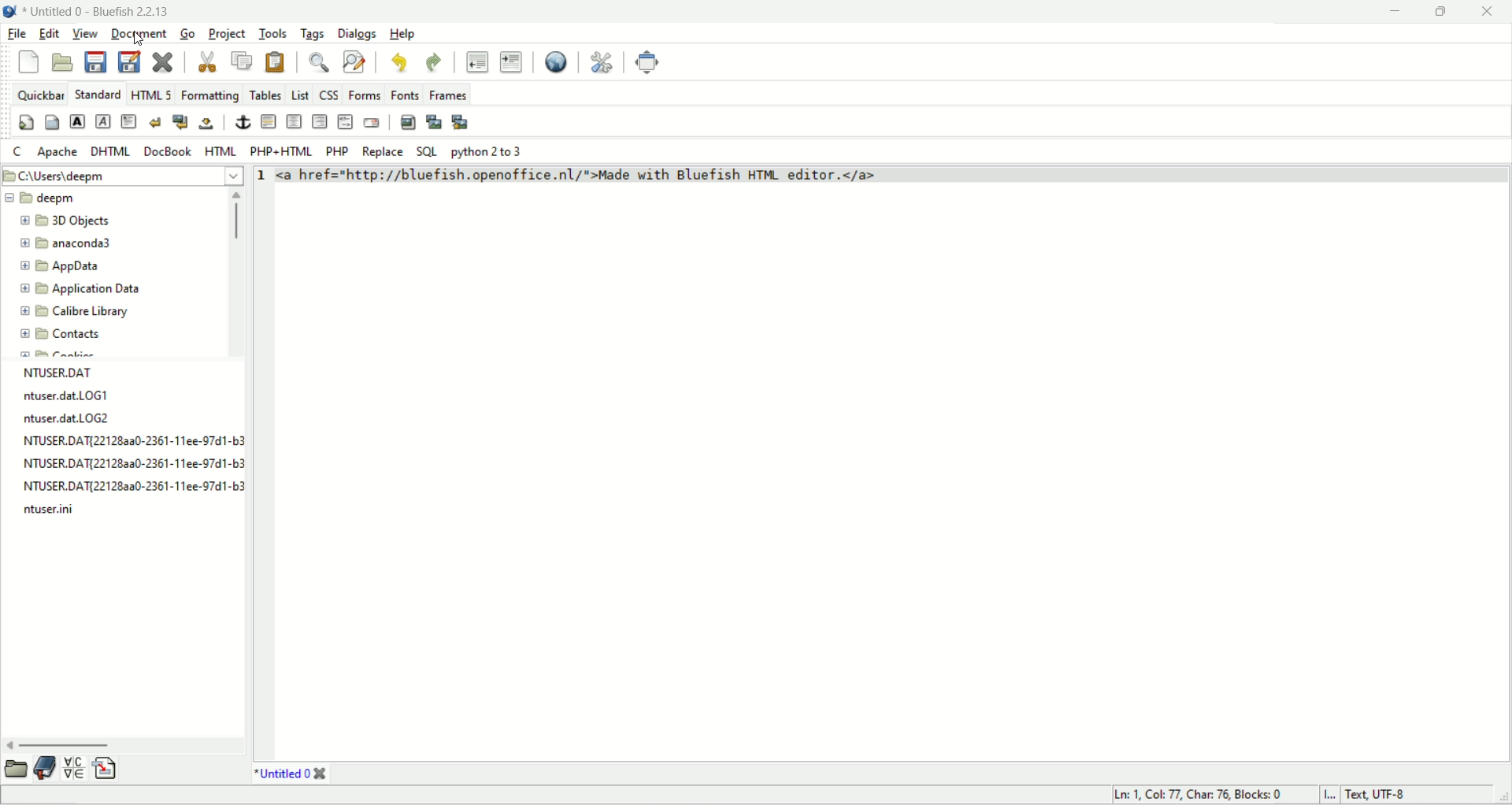 The image size is (1512, 805). What do you see at coordinates (180, 121) in the screenshot?
I see `break and clear` at bounding box center [180, 121].